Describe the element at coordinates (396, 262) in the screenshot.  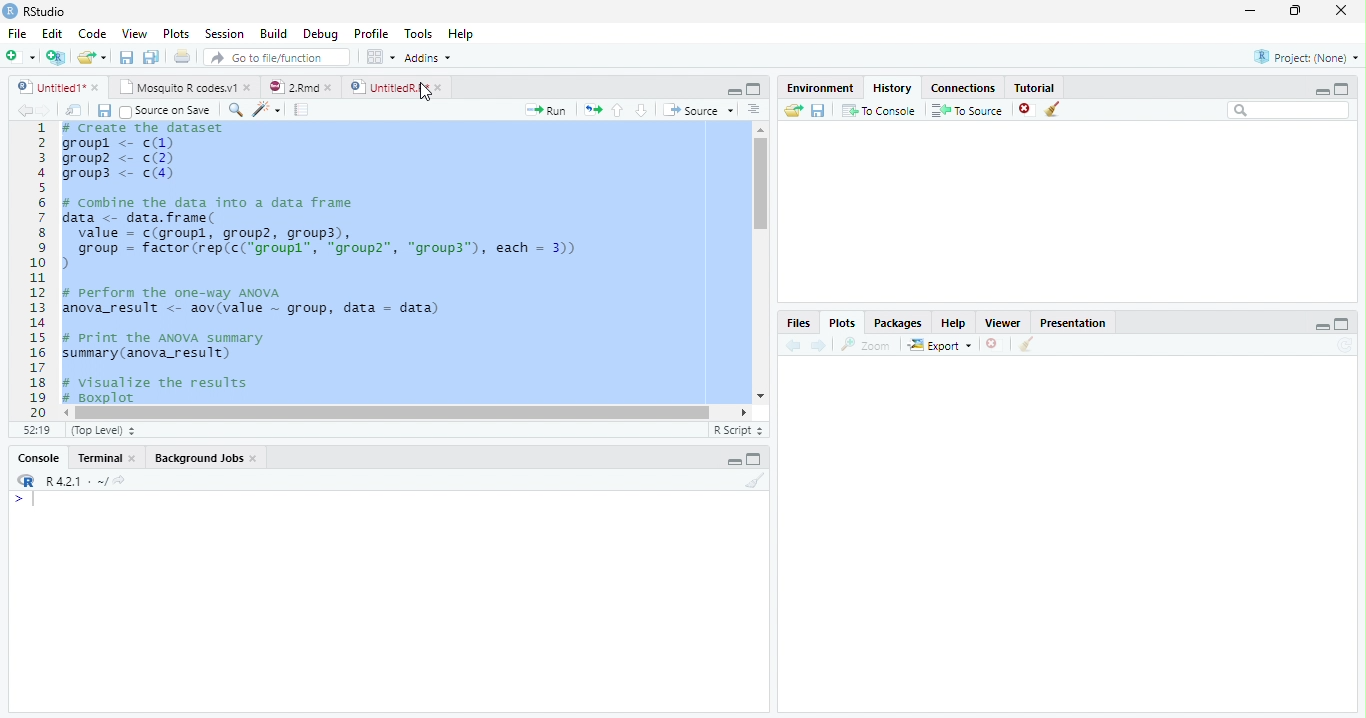
I see `# Create the dataset groupl <- c(1)groupz <- c(2)groups <- c(4)# Conbine the data into a data framedata <- data. frame(value = c(groupl, group2, group3),group = factor (rep(c("groupl”, "group", "group3”), each = 3)))# perform the one-way ANOVAanova_result <- aov(value ~ group, datal - data)# Print the ANOVA summarysummary (anova_result)+ visualize the results4 Boxplot` at that location.